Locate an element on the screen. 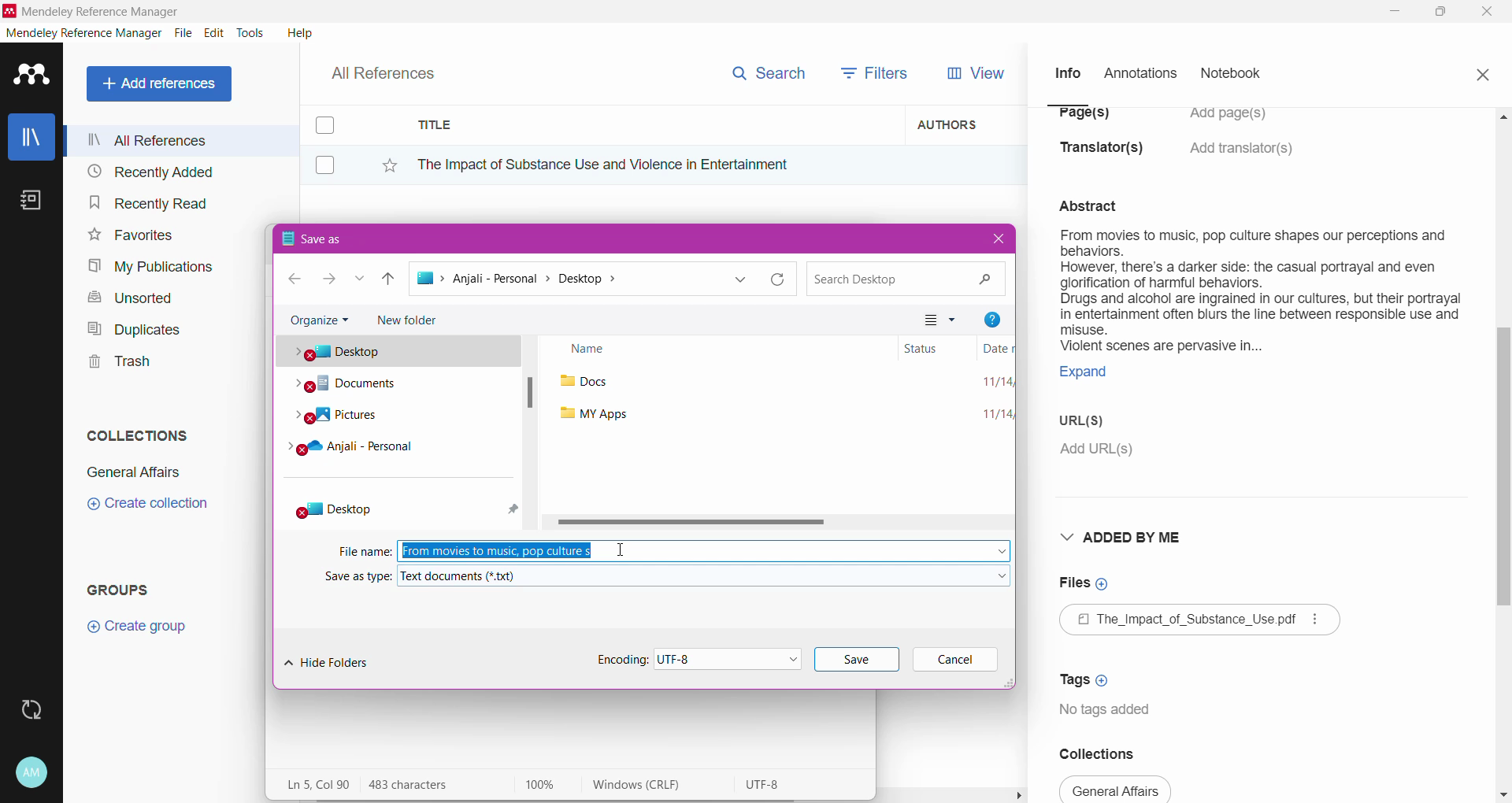  Click to Create Group is located at coordinates (140, 632).